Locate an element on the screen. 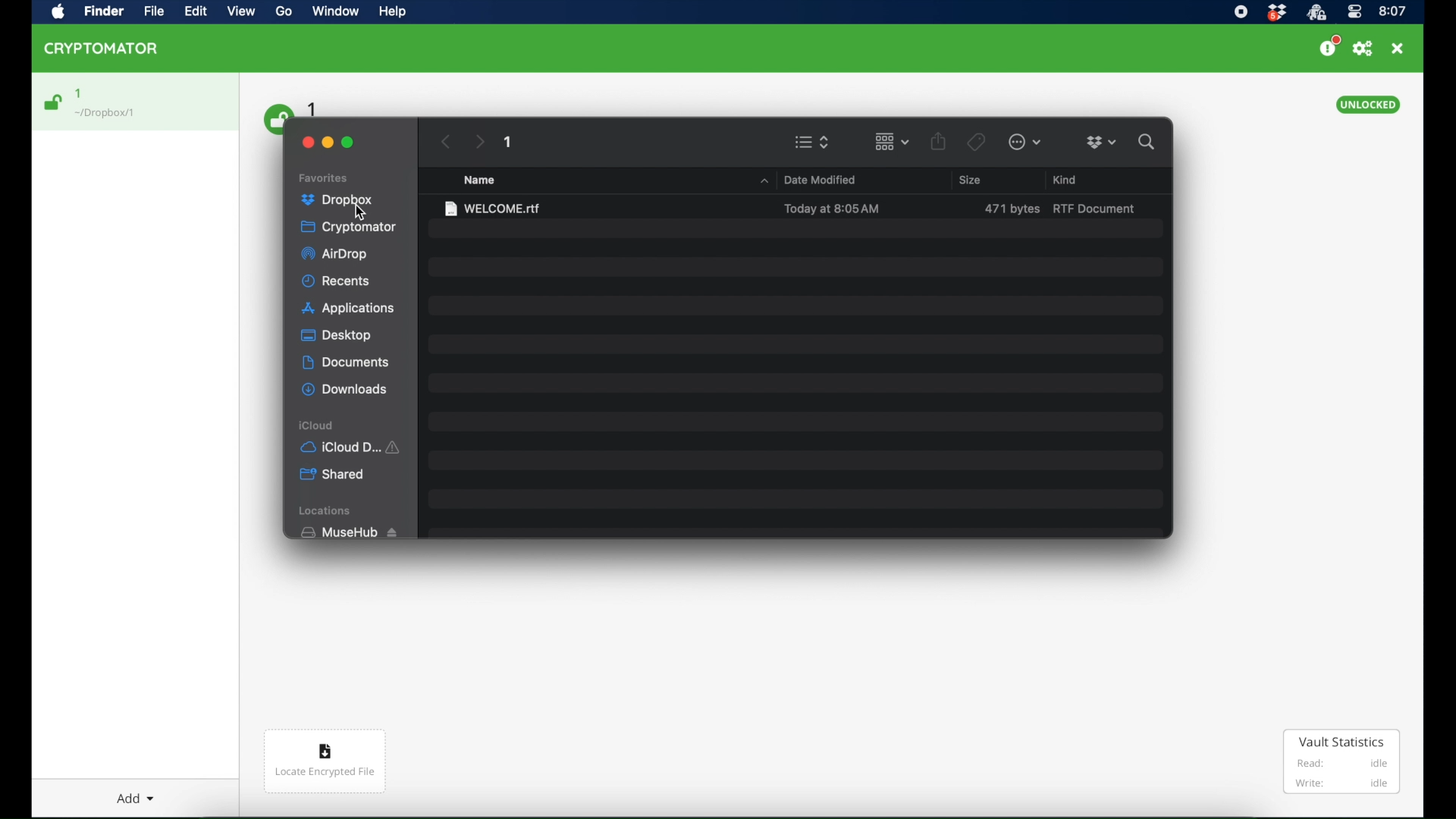  Edit is located at coordinates (197, 12).